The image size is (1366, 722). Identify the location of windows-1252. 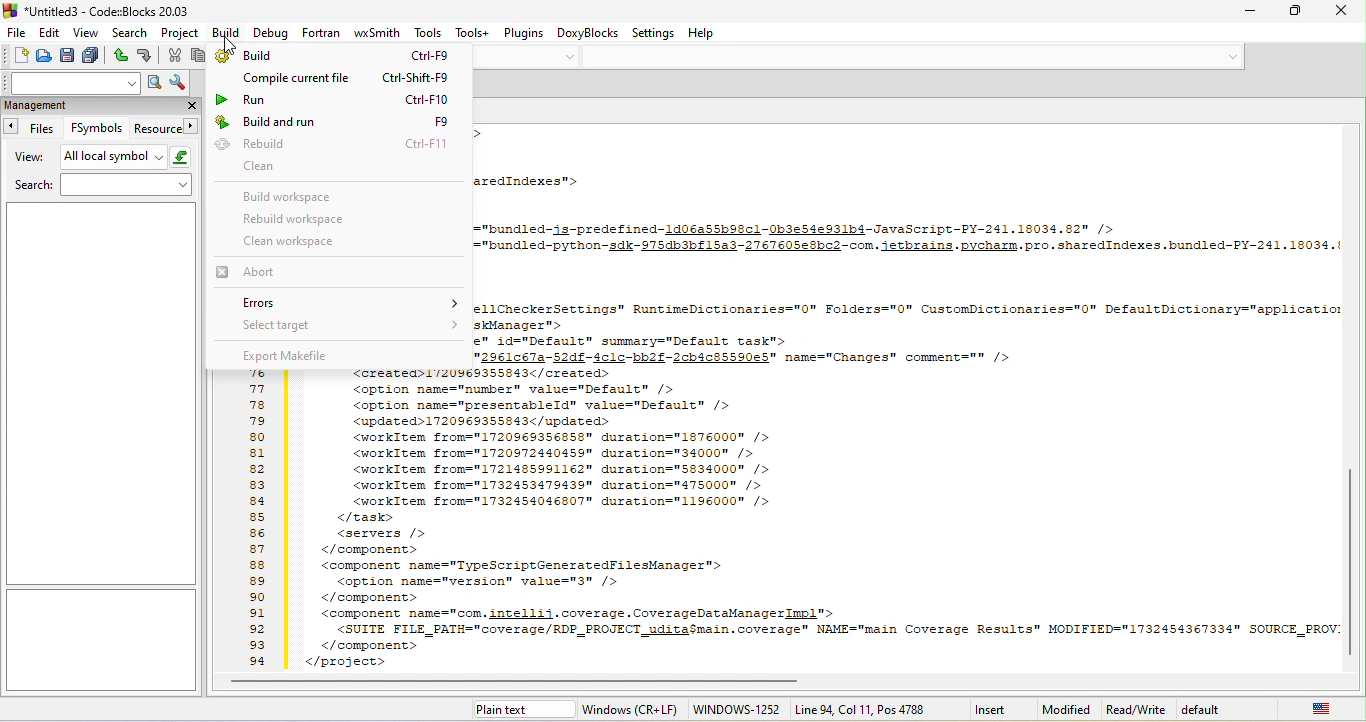
(740, 710).